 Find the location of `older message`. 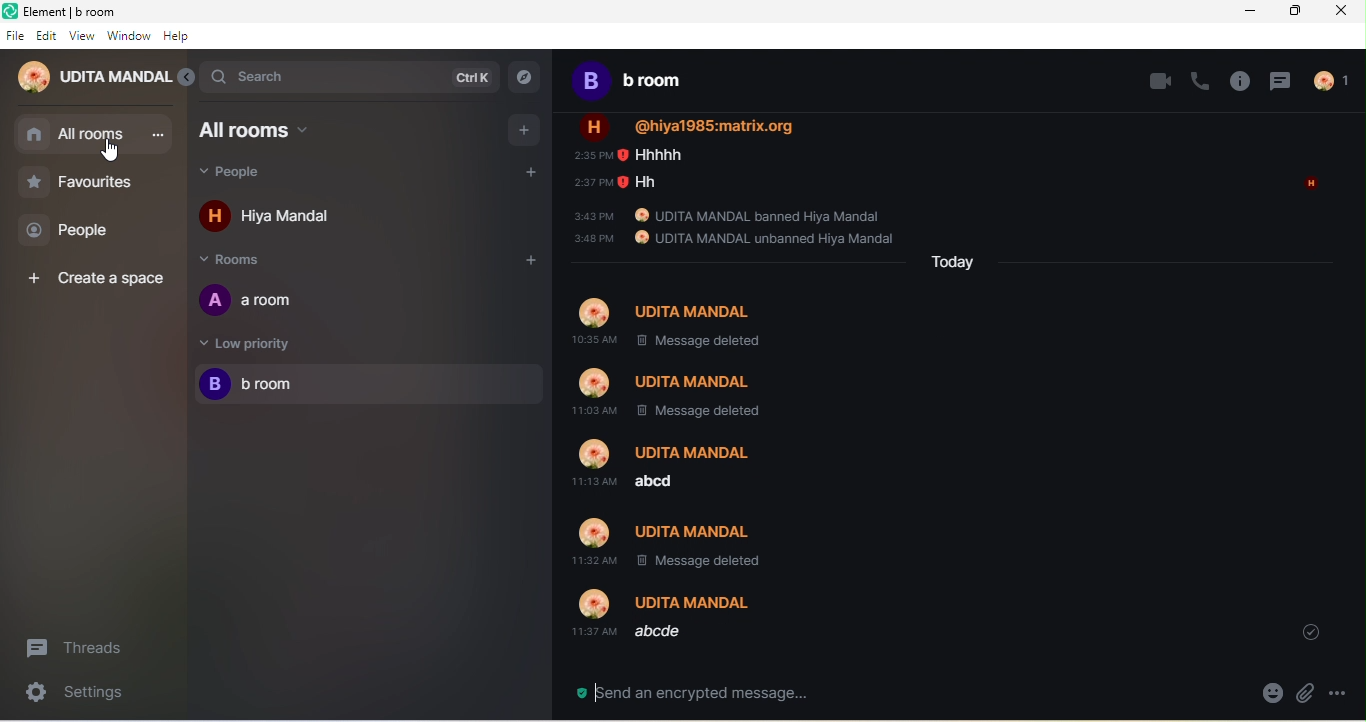

older message is located at coordinates (891, 342).